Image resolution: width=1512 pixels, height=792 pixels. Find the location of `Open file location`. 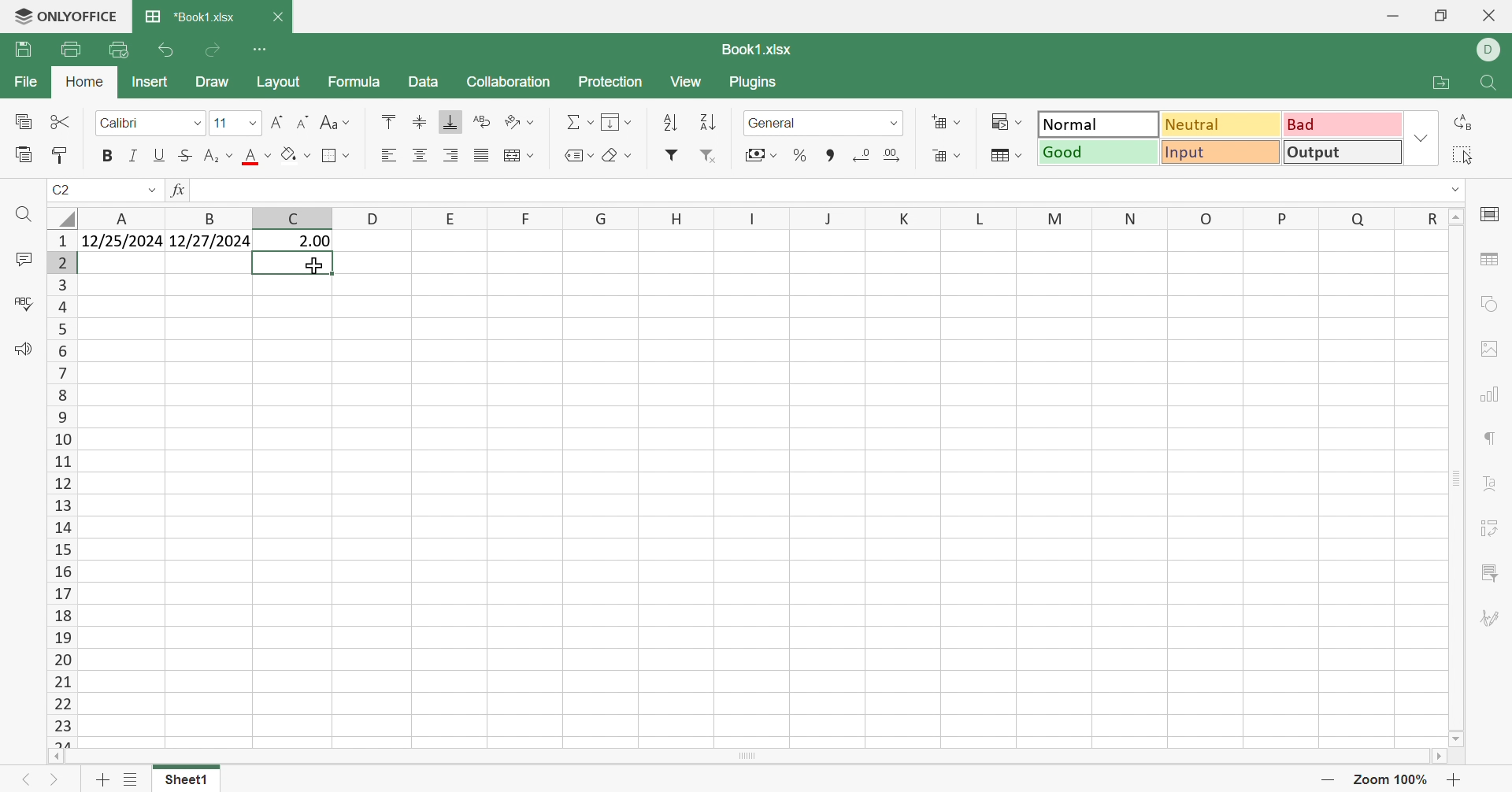

Open file location is located at coordinates (1443, 83).